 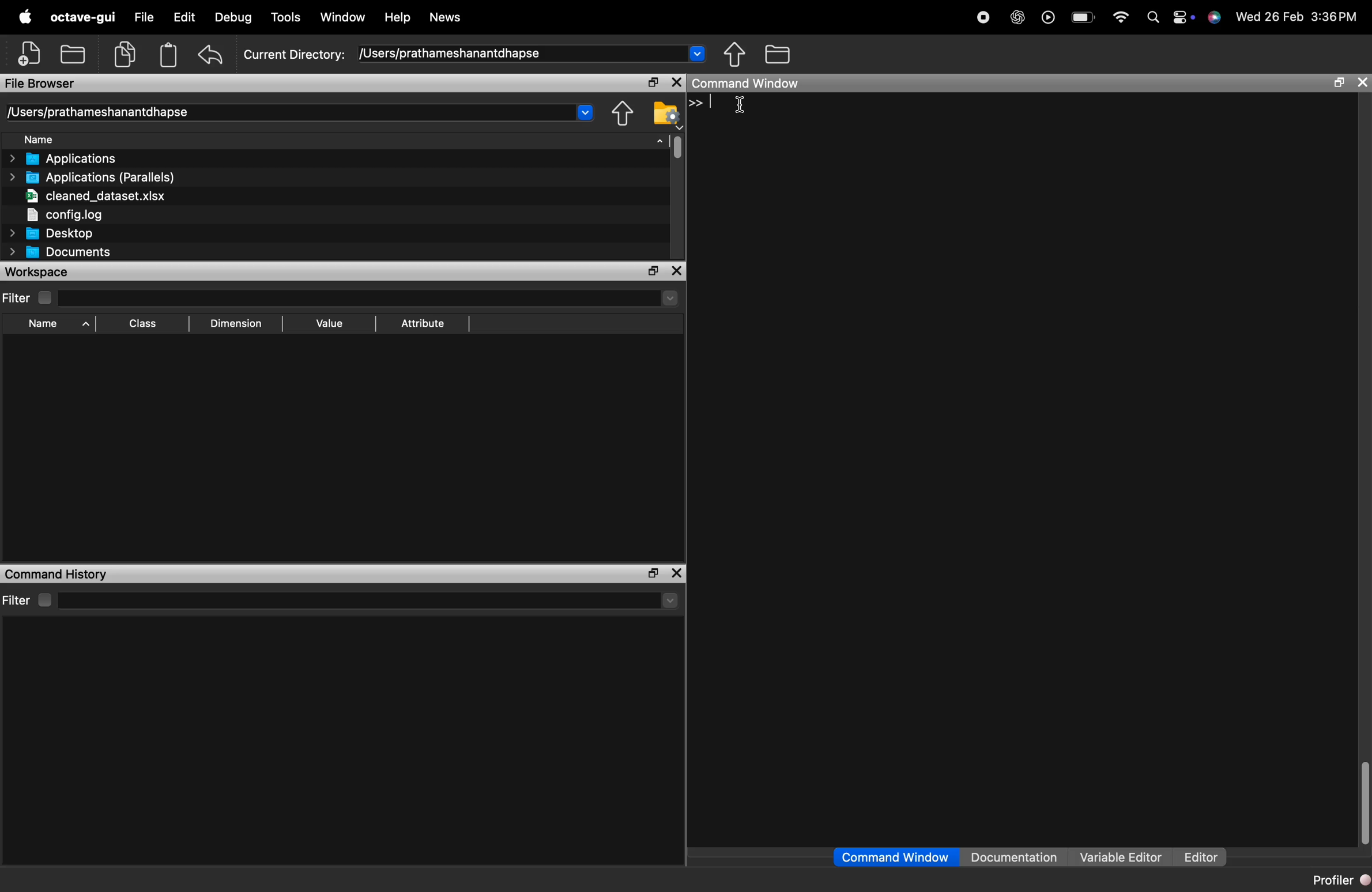 What do you see at coordinates (84, 158) in the screenshot?
I see `> Applications` at bounding box center [84, 158].